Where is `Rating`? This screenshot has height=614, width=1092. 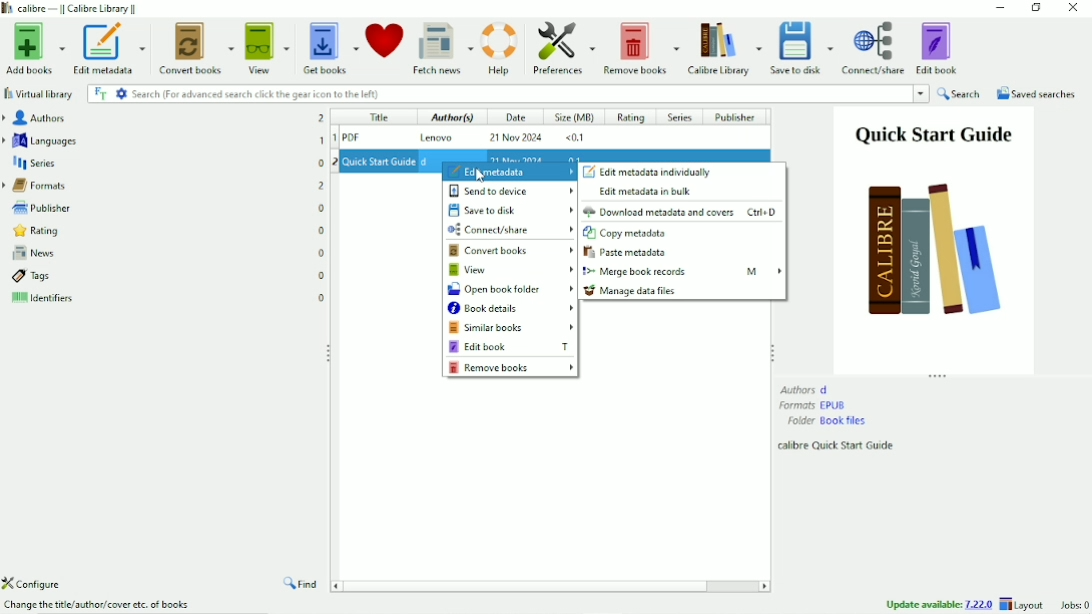 Rating is located at coordinates (631, 118).